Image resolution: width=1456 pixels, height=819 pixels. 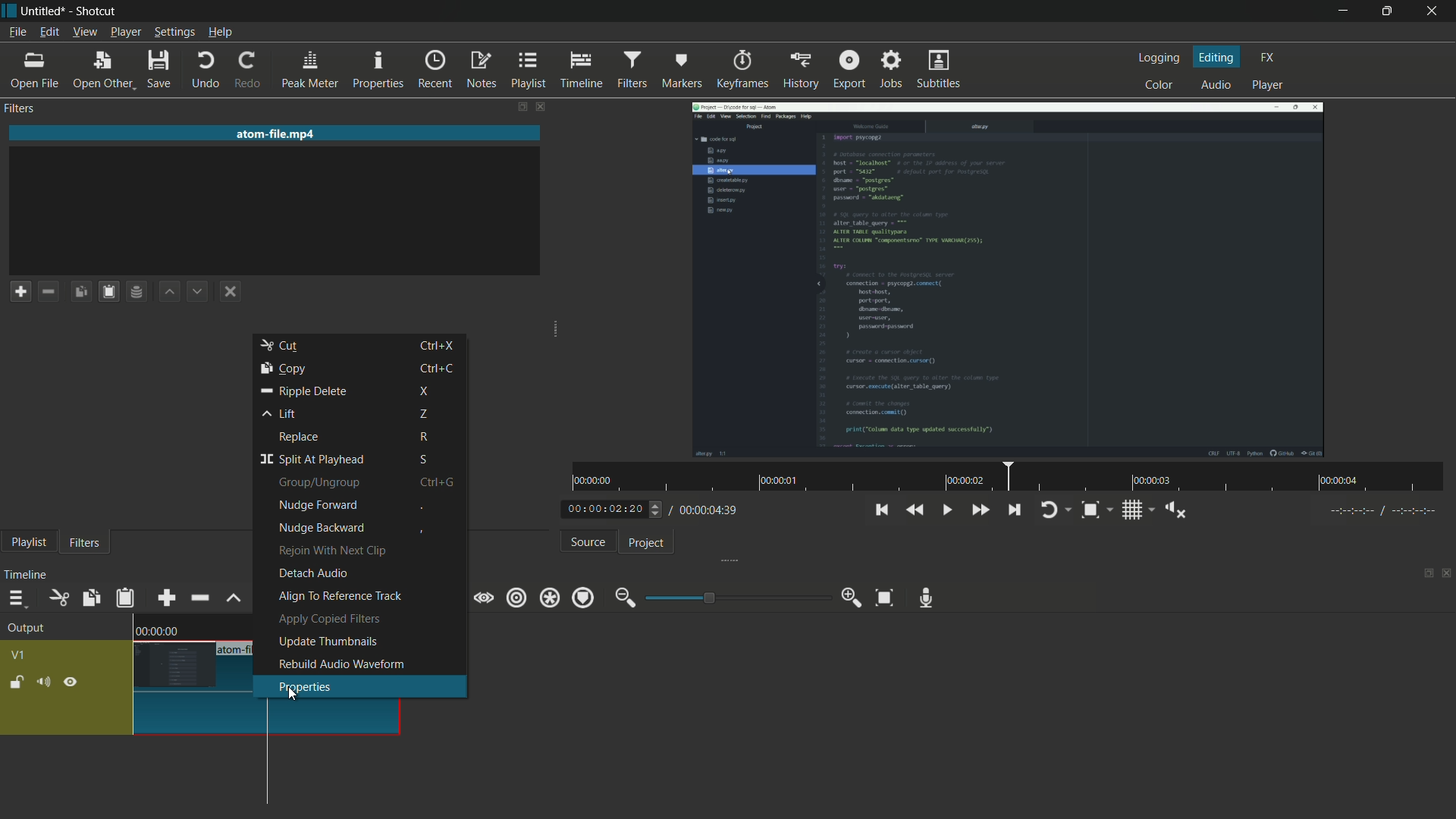 I want to click on player, so click(x=1272, y=86).